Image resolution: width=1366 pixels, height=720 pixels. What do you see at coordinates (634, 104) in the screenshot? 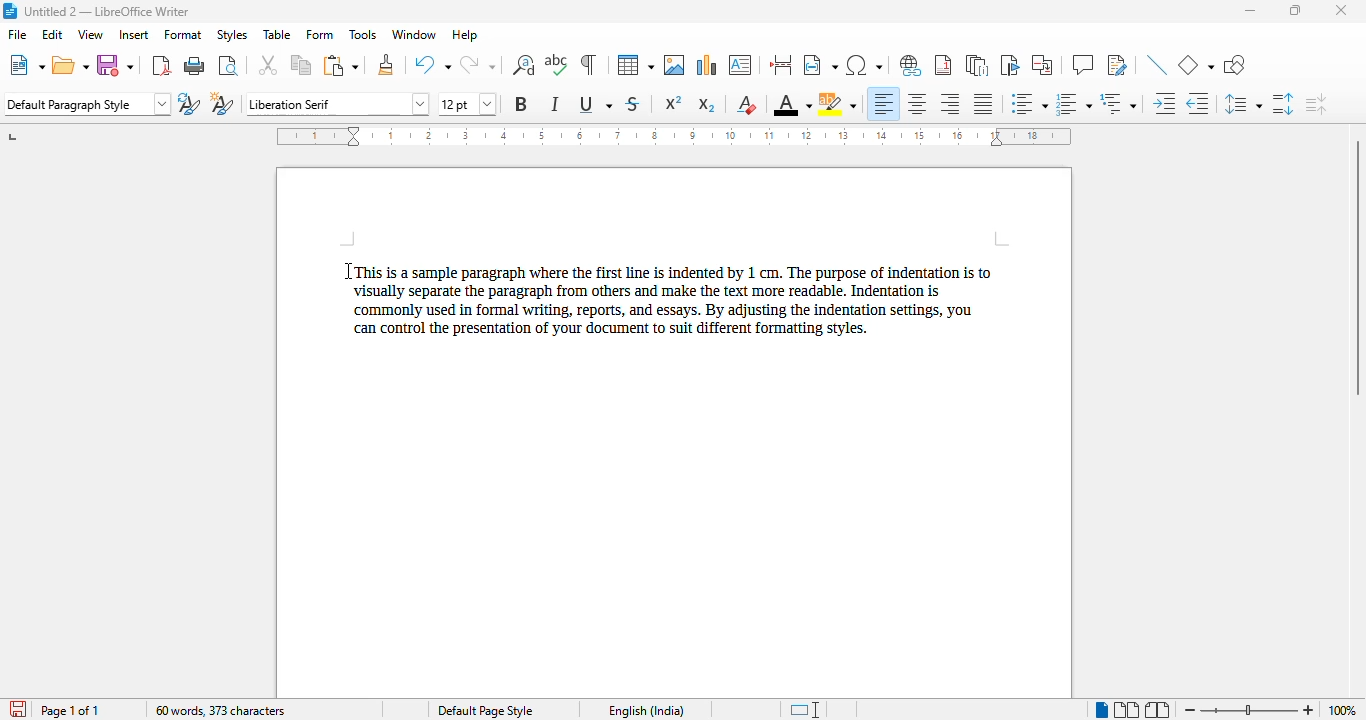
I see `strikethrough` at bounding box center [634, 104].